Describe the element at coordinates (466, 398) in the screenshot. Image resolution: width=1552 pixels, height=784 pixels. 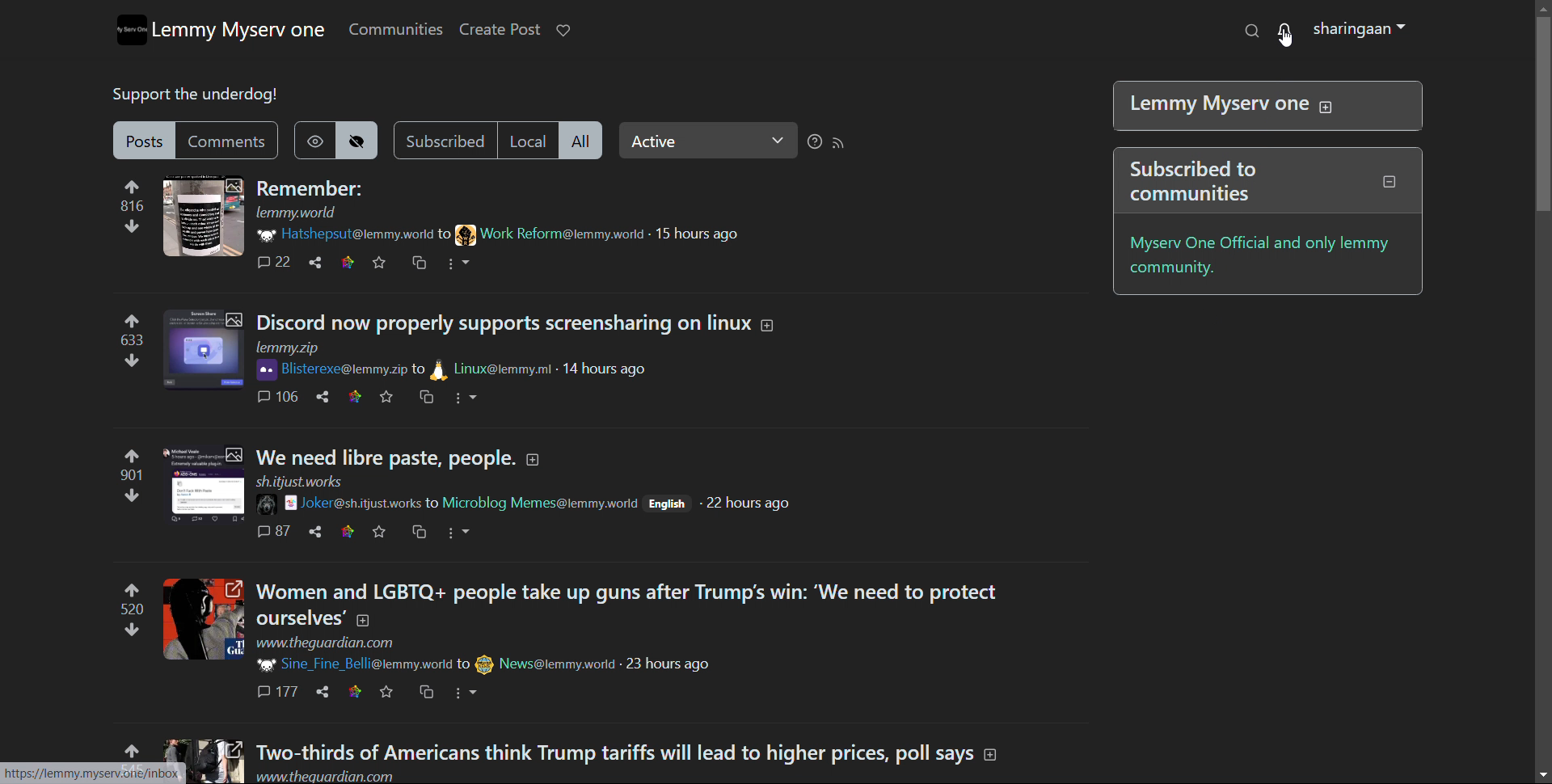
I see `options` at that location.